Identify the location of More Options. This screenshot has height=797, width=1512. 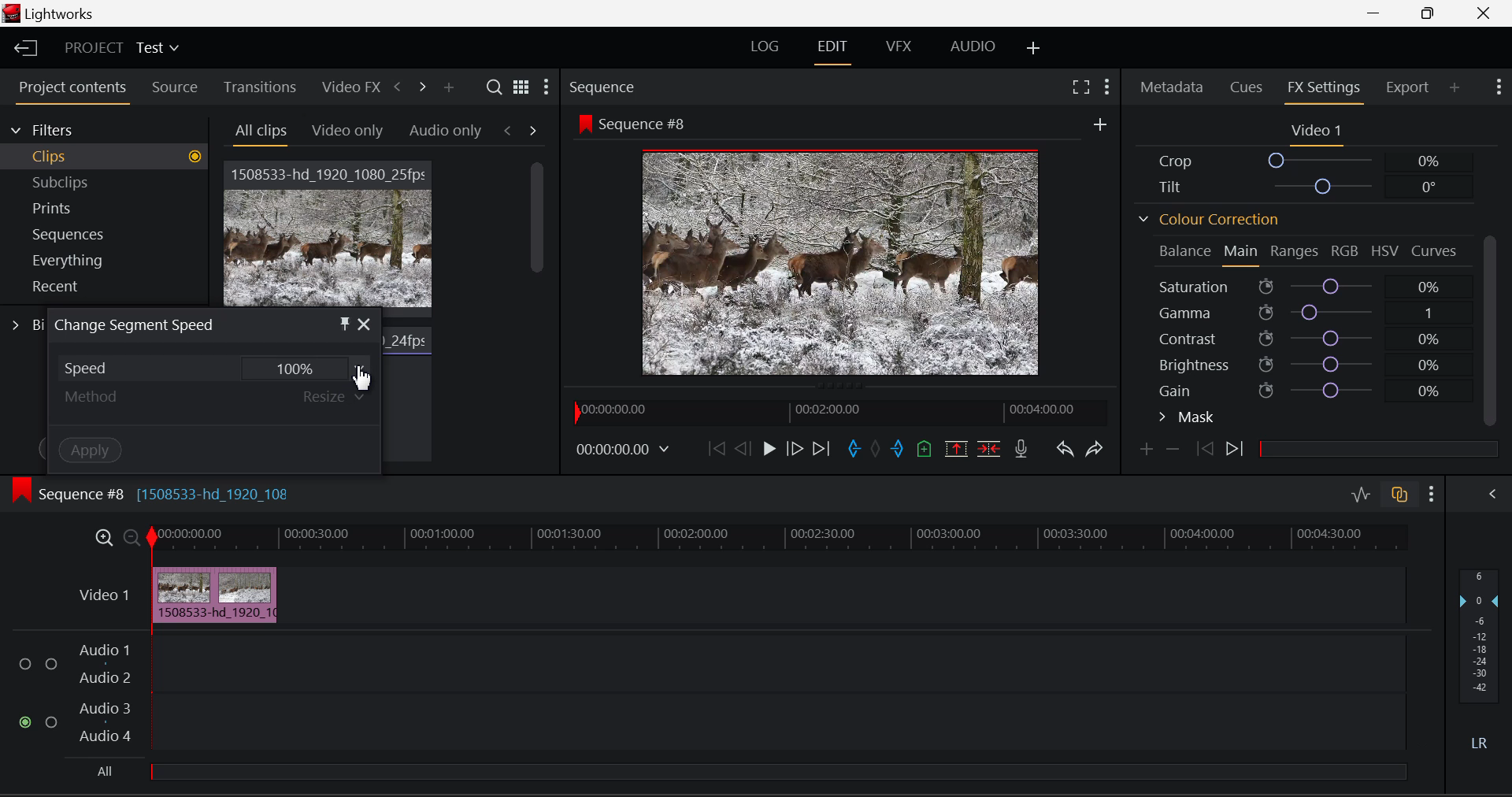
(1100, 126).